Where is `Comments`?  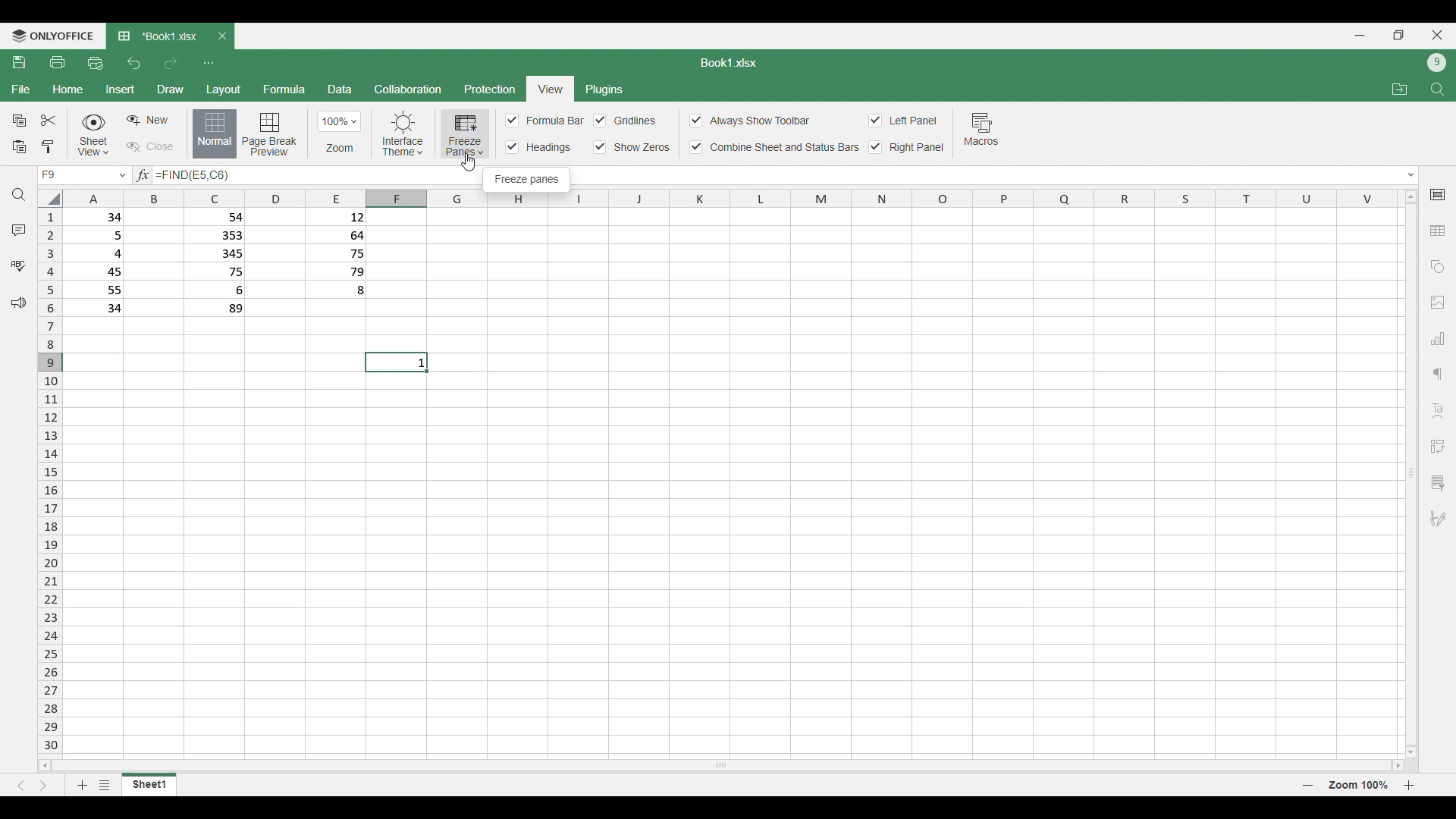 Comments is located at coordinates (18, 230).